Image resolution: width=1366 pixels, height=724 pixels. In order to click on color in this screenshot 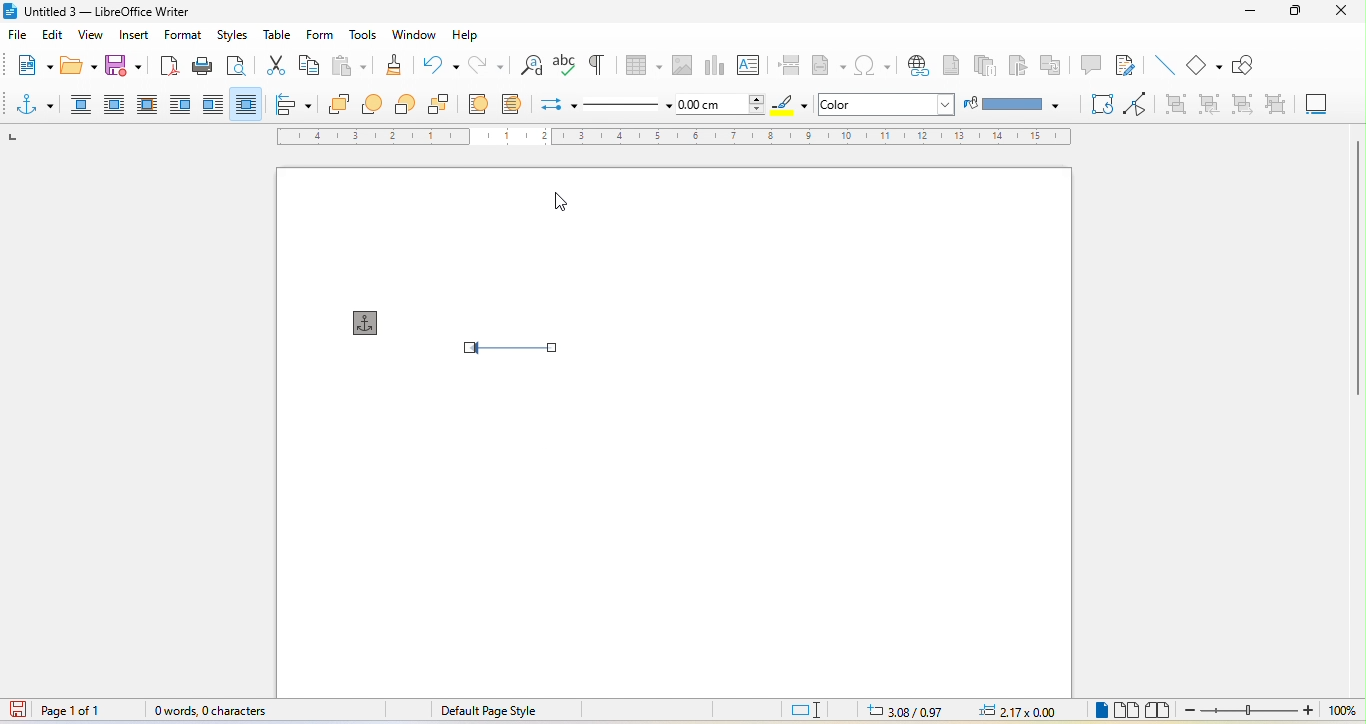, I will do `click(864, 104)`.